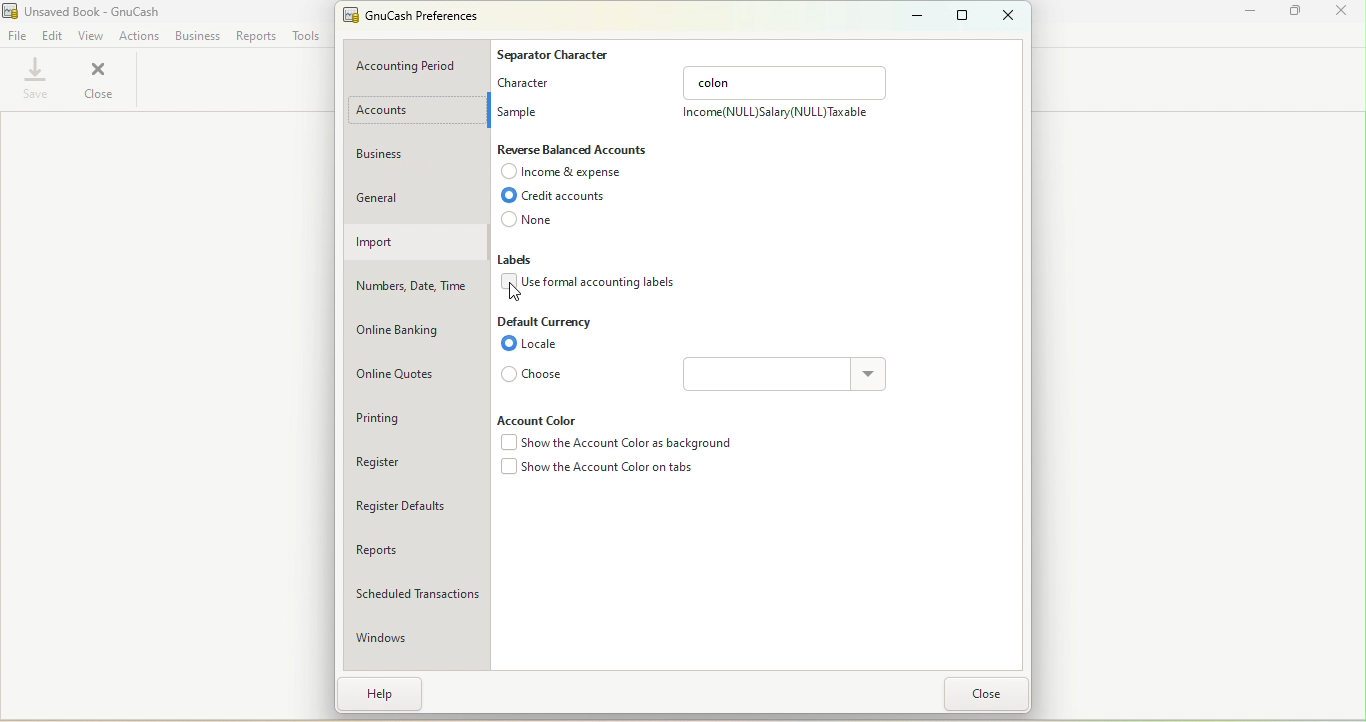 Image resolution: width=1366 pixels, height=722 pixels. I want to click on File, so click(17, 34).